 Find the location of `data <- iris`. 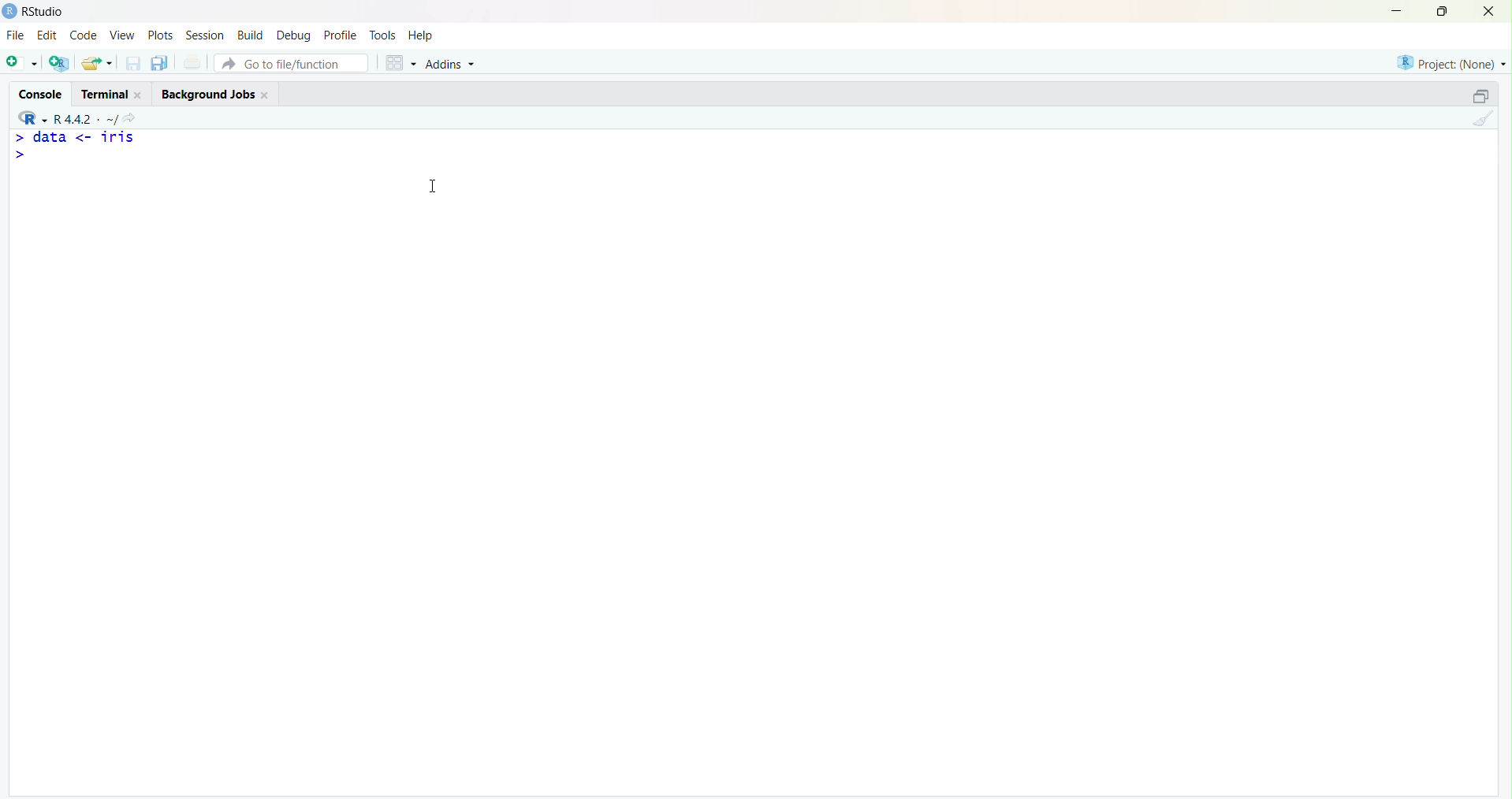

data <- iris is located at coordinates (85, 139).